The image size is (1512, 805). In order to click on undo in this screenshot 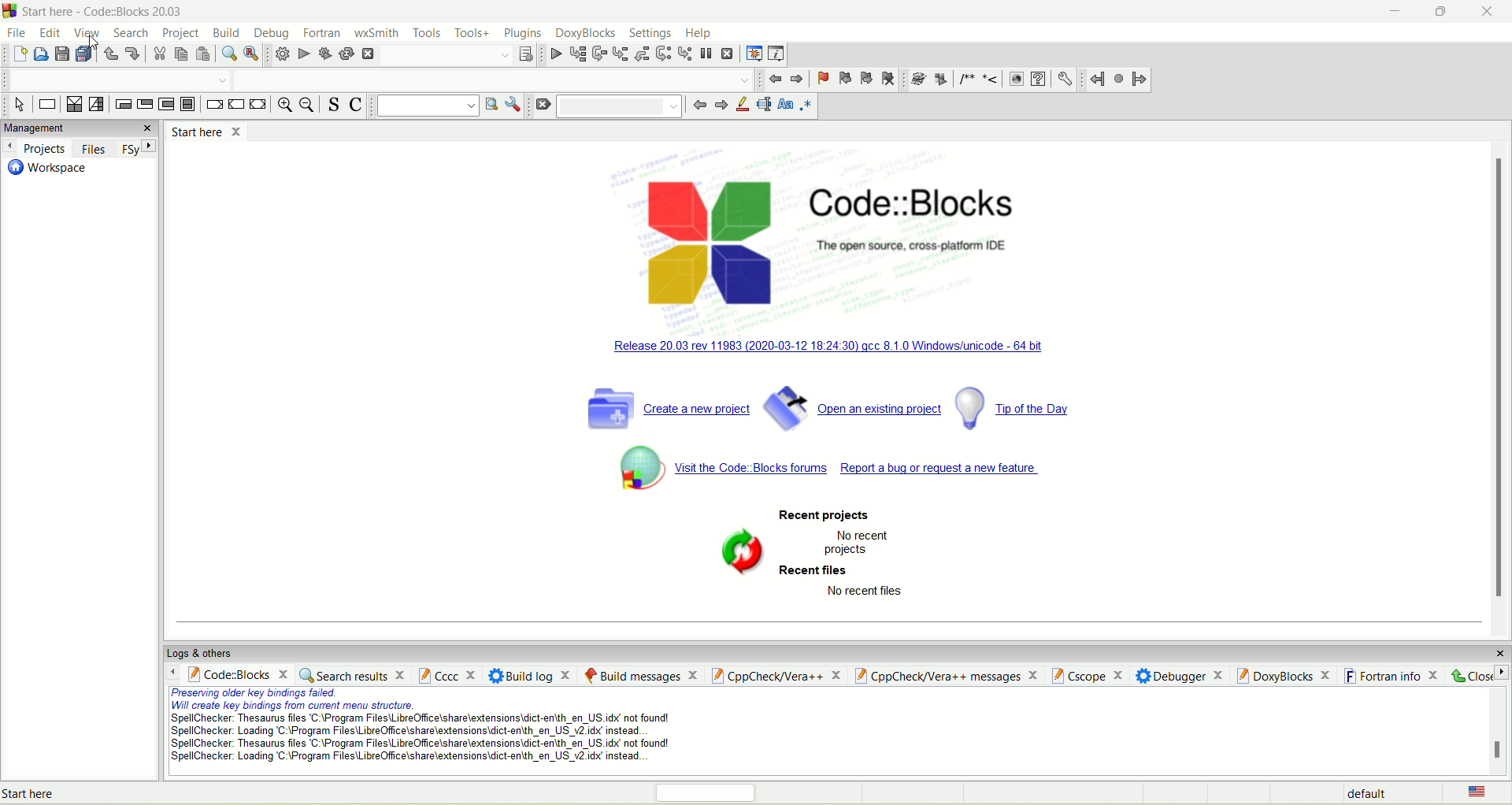, I will do `click(112, 54)`.